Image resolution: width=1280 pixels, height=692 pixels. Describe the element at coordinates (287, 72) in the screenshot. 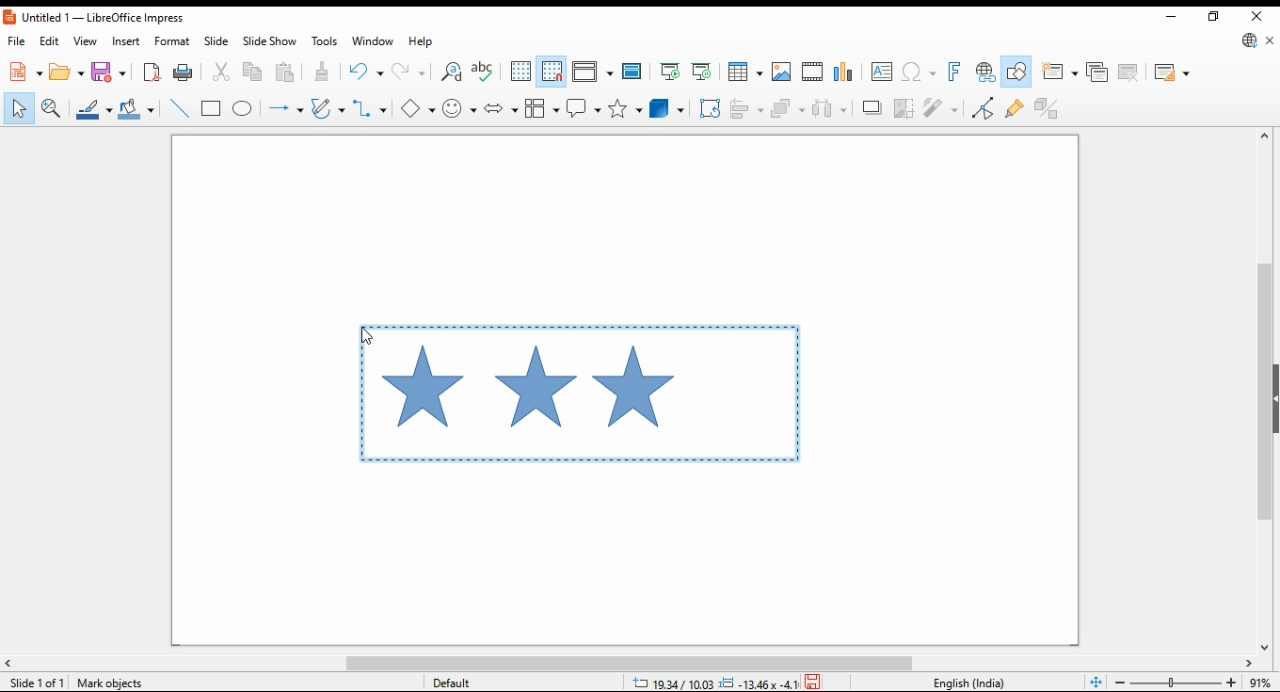

I see `paste` at that location.